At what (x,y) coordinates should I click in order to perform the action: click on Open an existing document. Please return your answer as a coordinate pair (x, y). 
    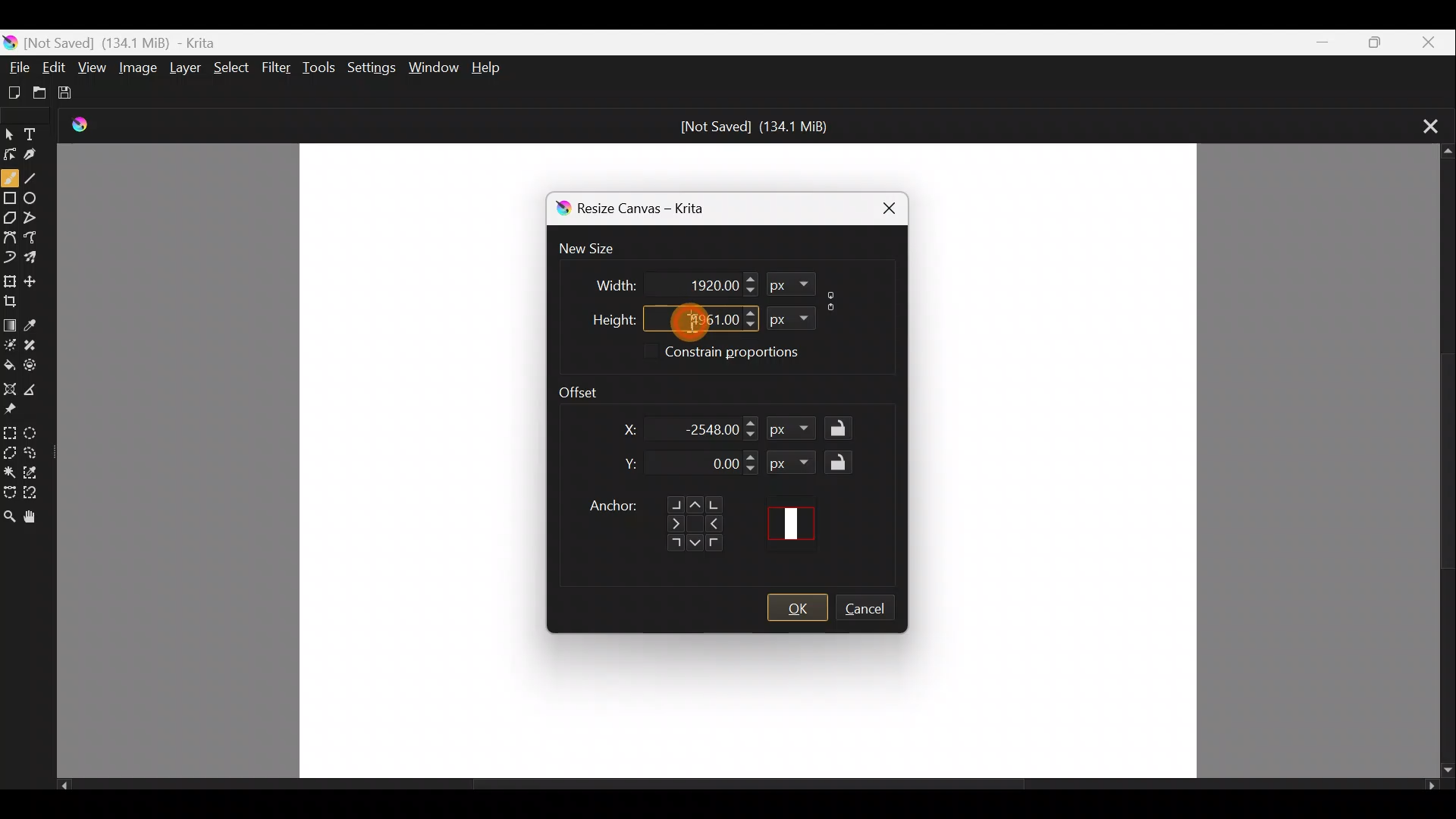
    Looking at the image, I should click on (46, 93).